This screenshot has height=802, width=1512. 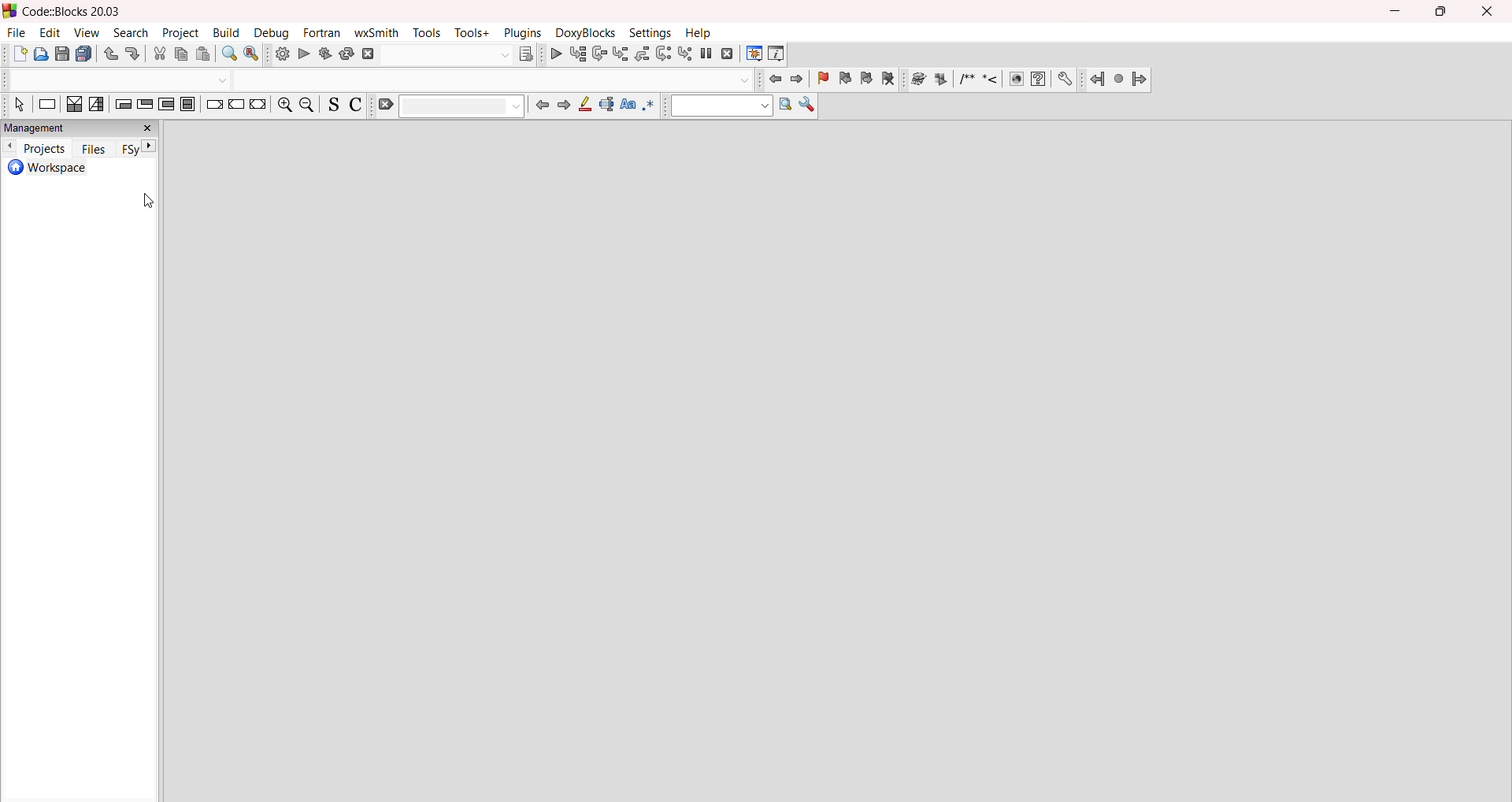 What do you see at coordinates (753, 54) in the screenshot?
I see `debugging window ` at bounding box center [753, 54].